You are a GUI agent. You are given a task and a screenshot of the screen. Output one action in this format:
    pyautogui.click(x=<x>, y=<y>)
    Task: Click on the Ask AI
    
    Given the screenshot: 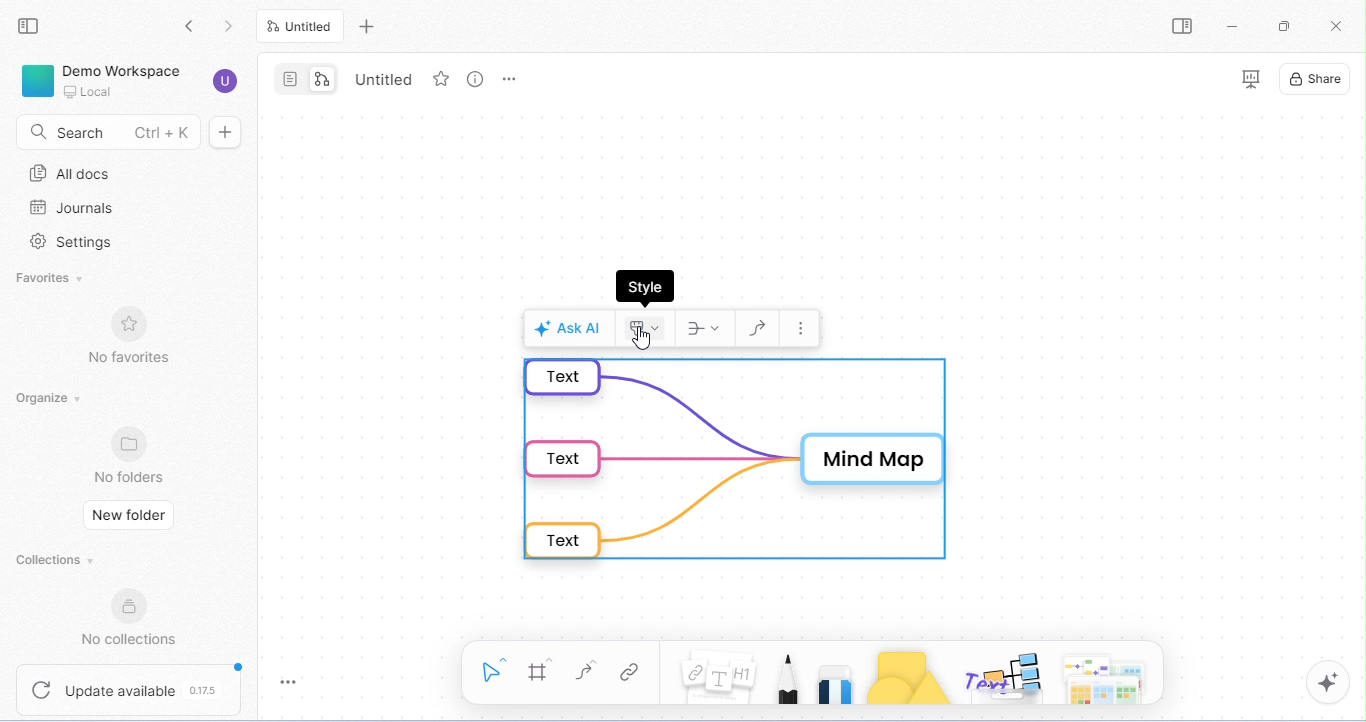 What is the action you would take?
    pyautogui.click(x=568, y=327)
    